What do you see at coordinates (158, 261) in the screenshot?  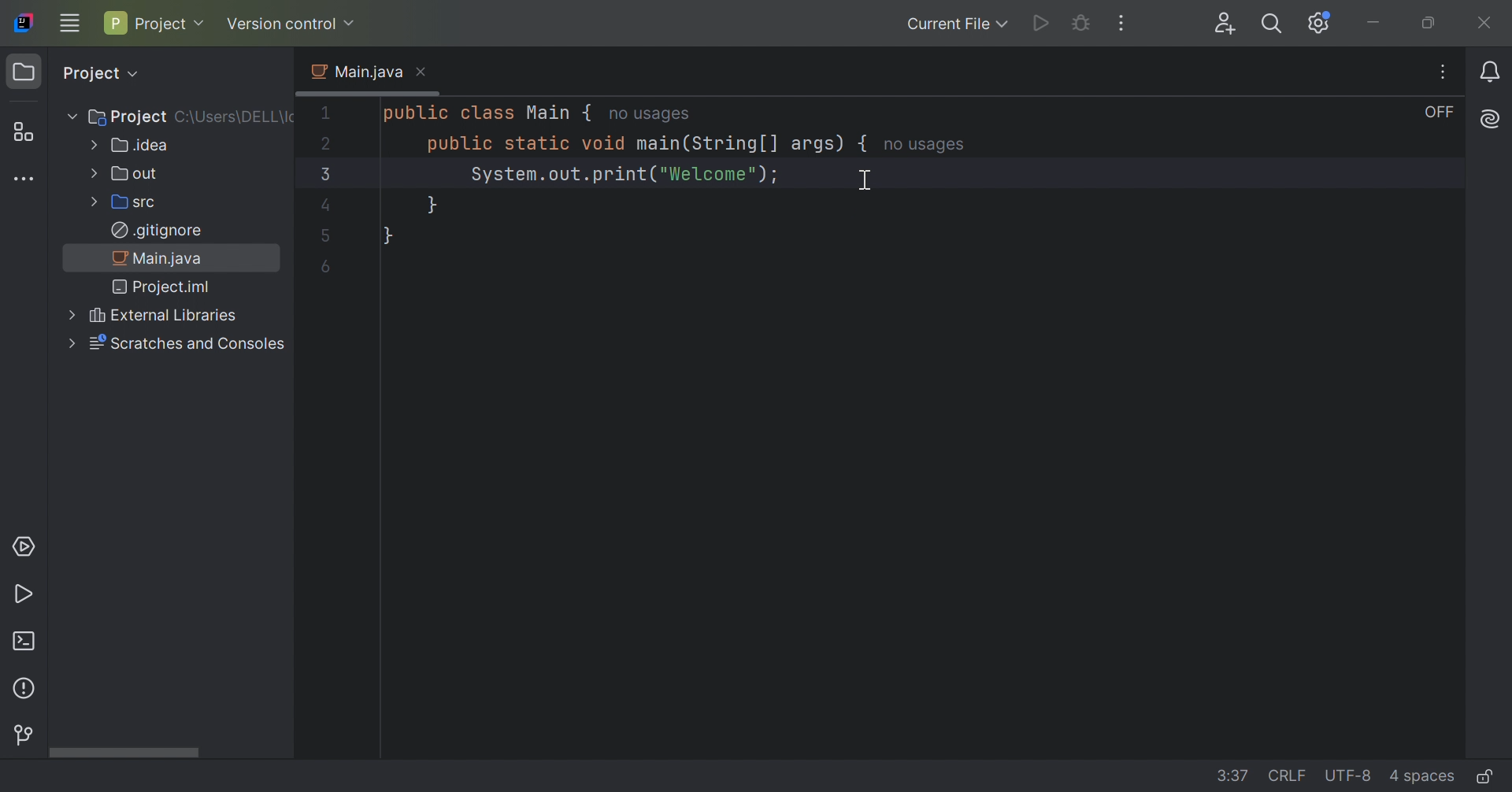 I see `Main.java` at bounding box center [158, 261].